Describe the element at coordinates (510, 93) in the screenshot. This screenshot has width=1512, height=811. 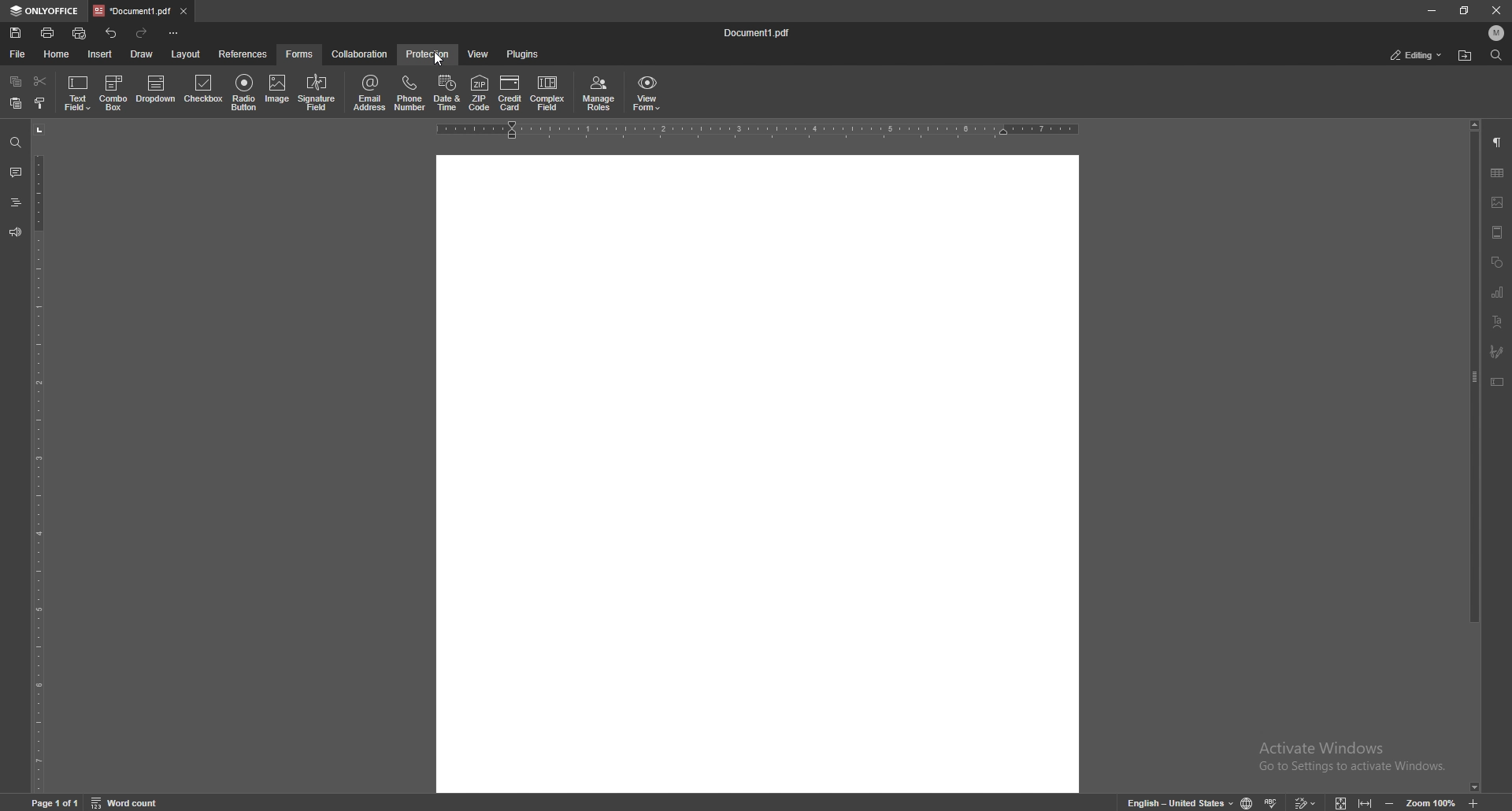
I see `credit card` at that location.